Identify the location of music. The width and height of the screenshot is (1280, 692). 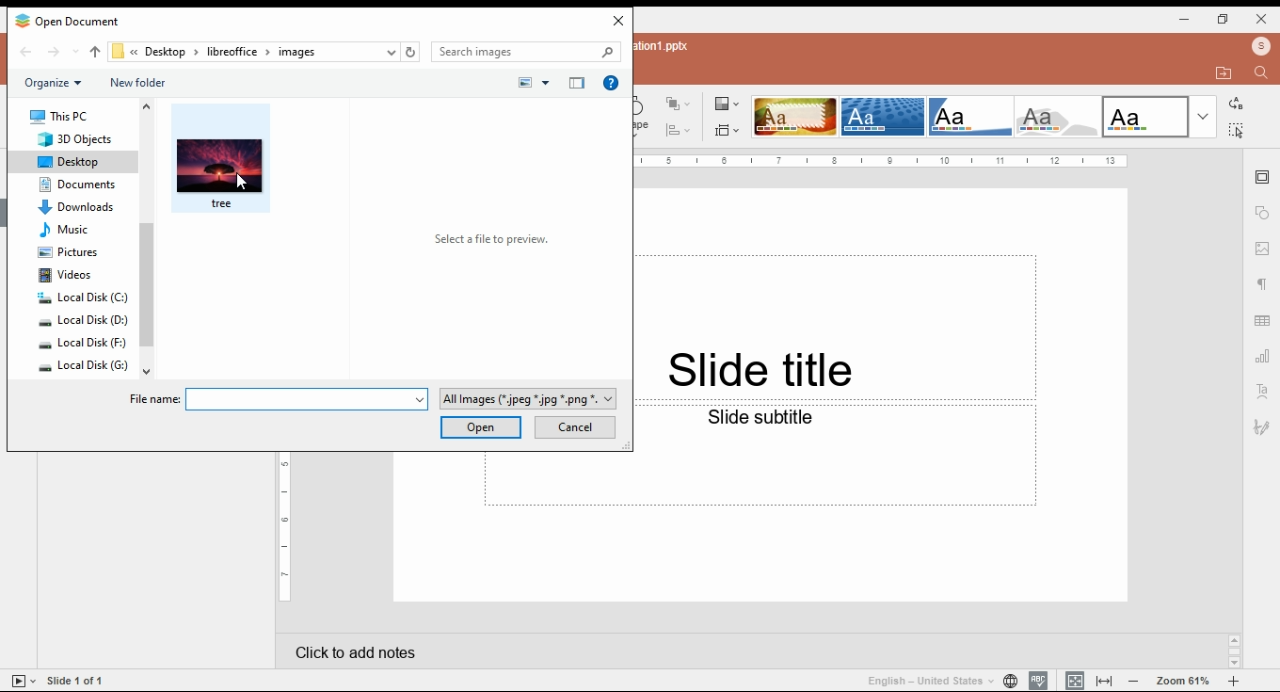
(70, 229).